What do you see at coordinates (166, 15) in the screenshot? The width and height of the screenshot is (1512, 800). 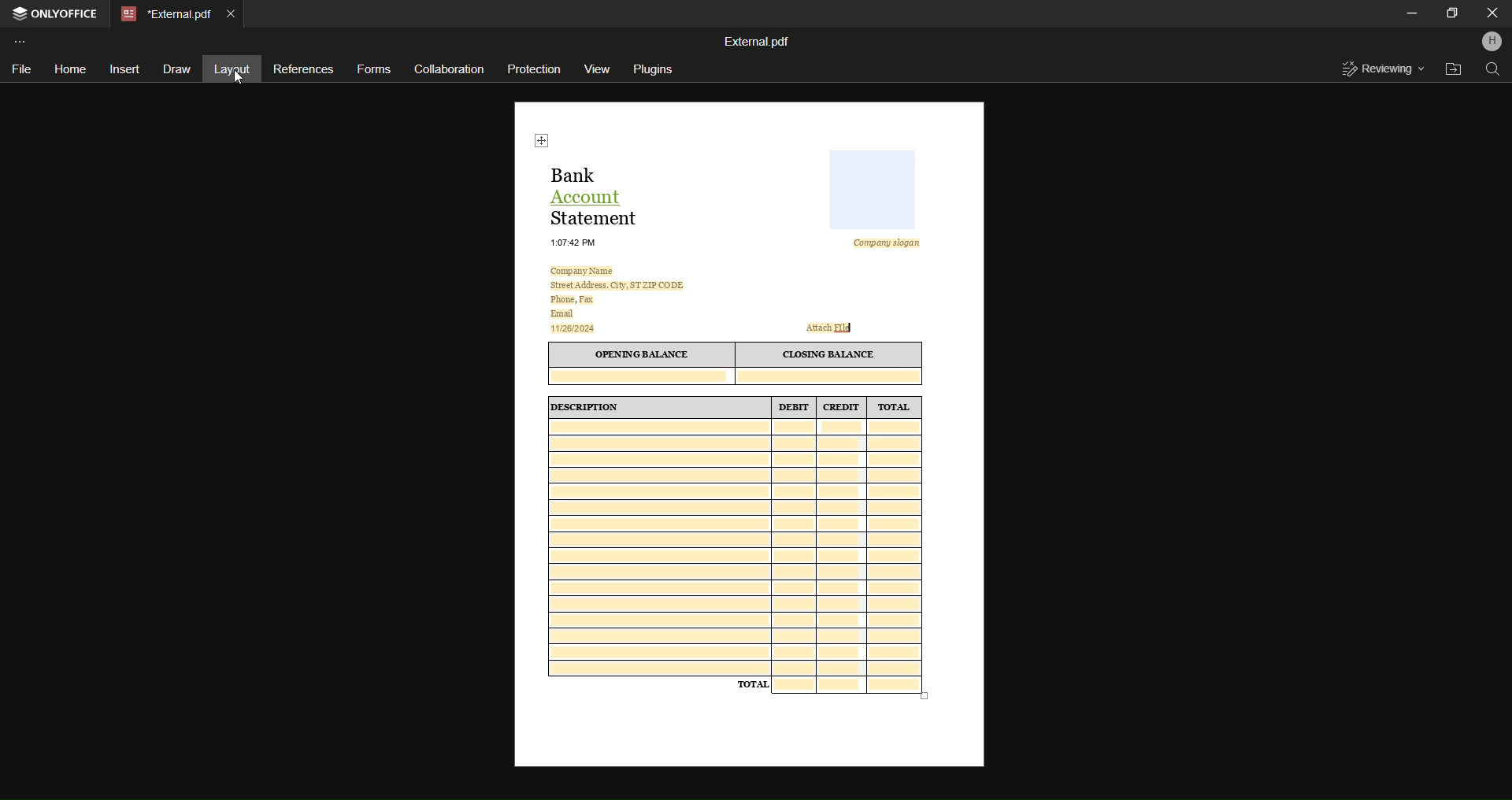 I see `External.pdf(Current File Tab)` at bounding box center [166, 15].